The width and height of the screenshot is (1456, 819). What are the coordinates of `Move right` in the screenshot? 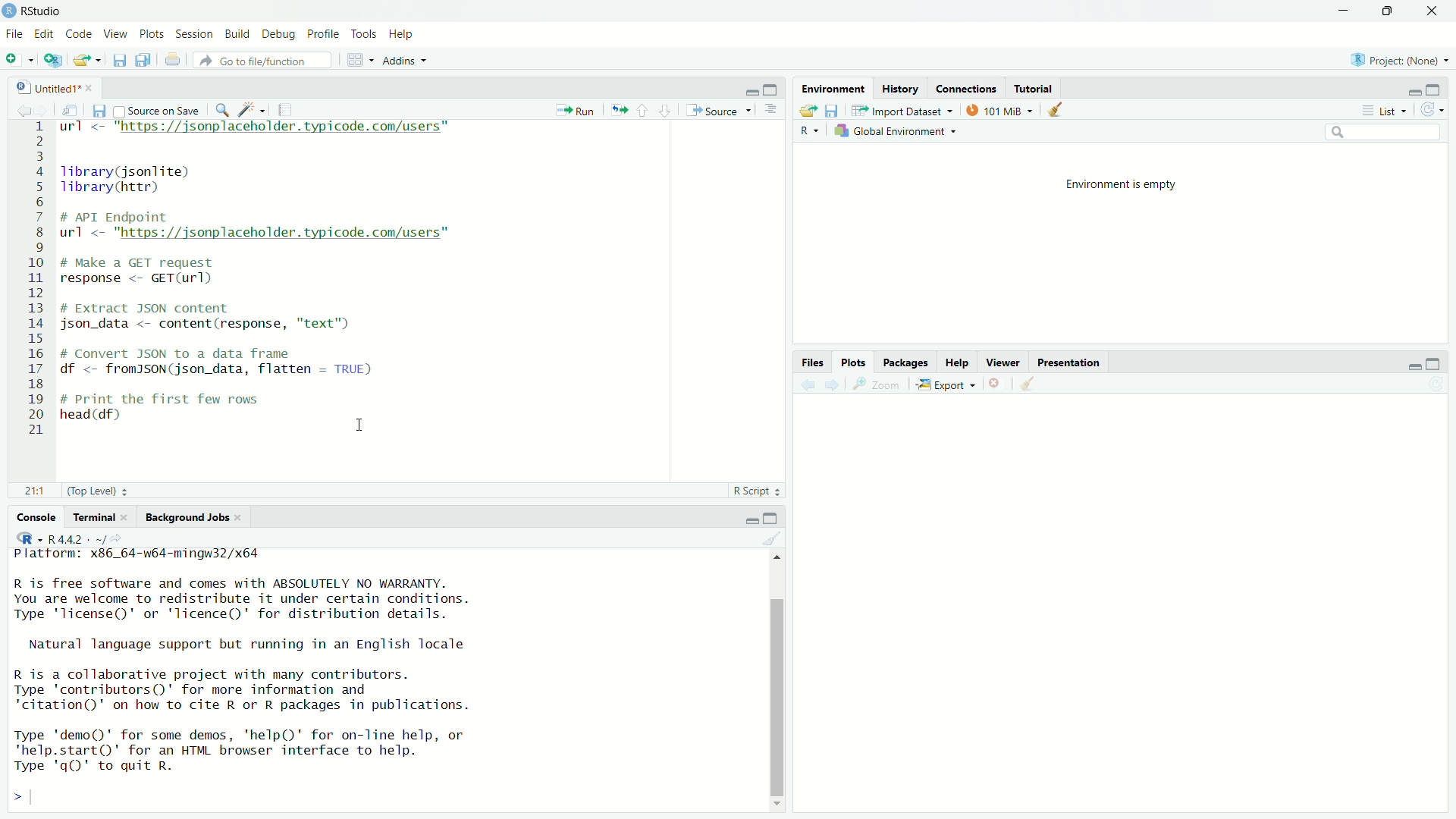 It's located at (24, 799).